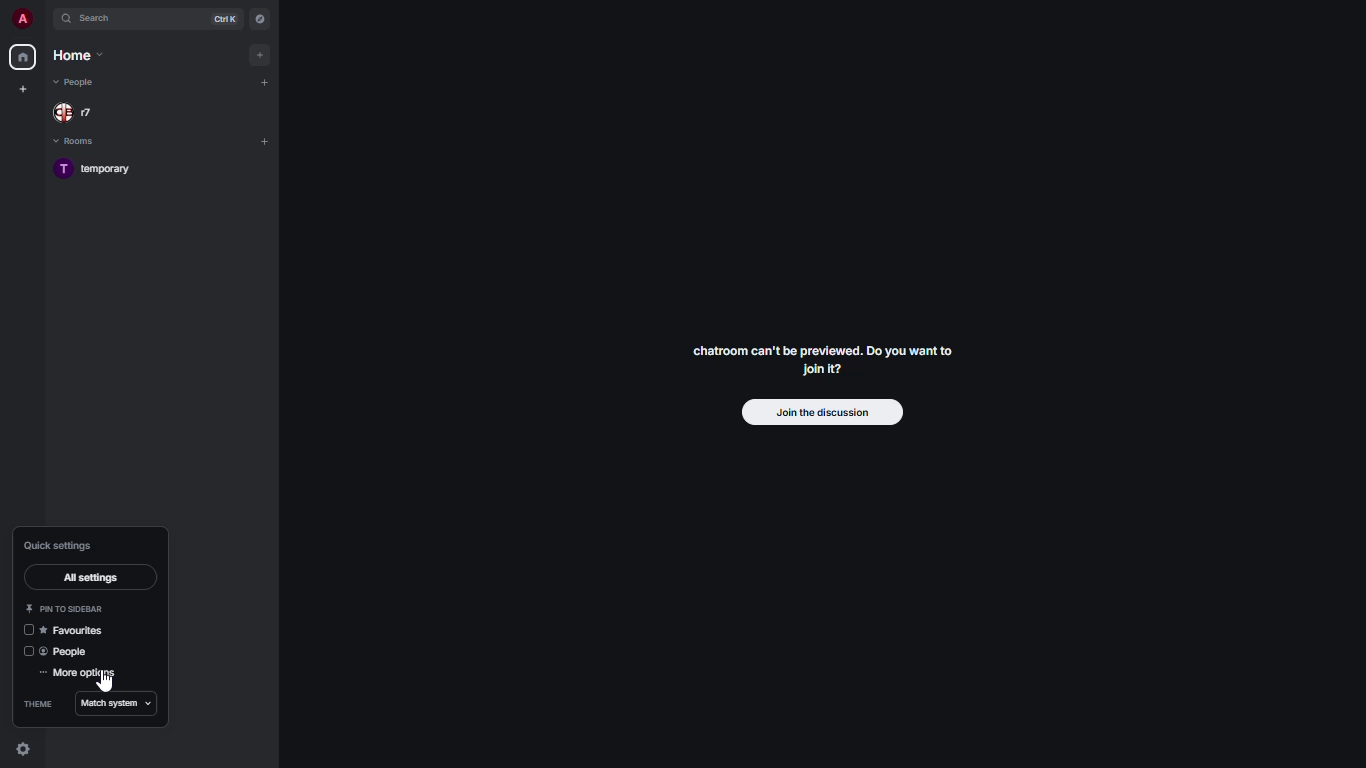 The height and width of the screenshot is (768, 1366). I want to click on disabled, so click(27, 651).